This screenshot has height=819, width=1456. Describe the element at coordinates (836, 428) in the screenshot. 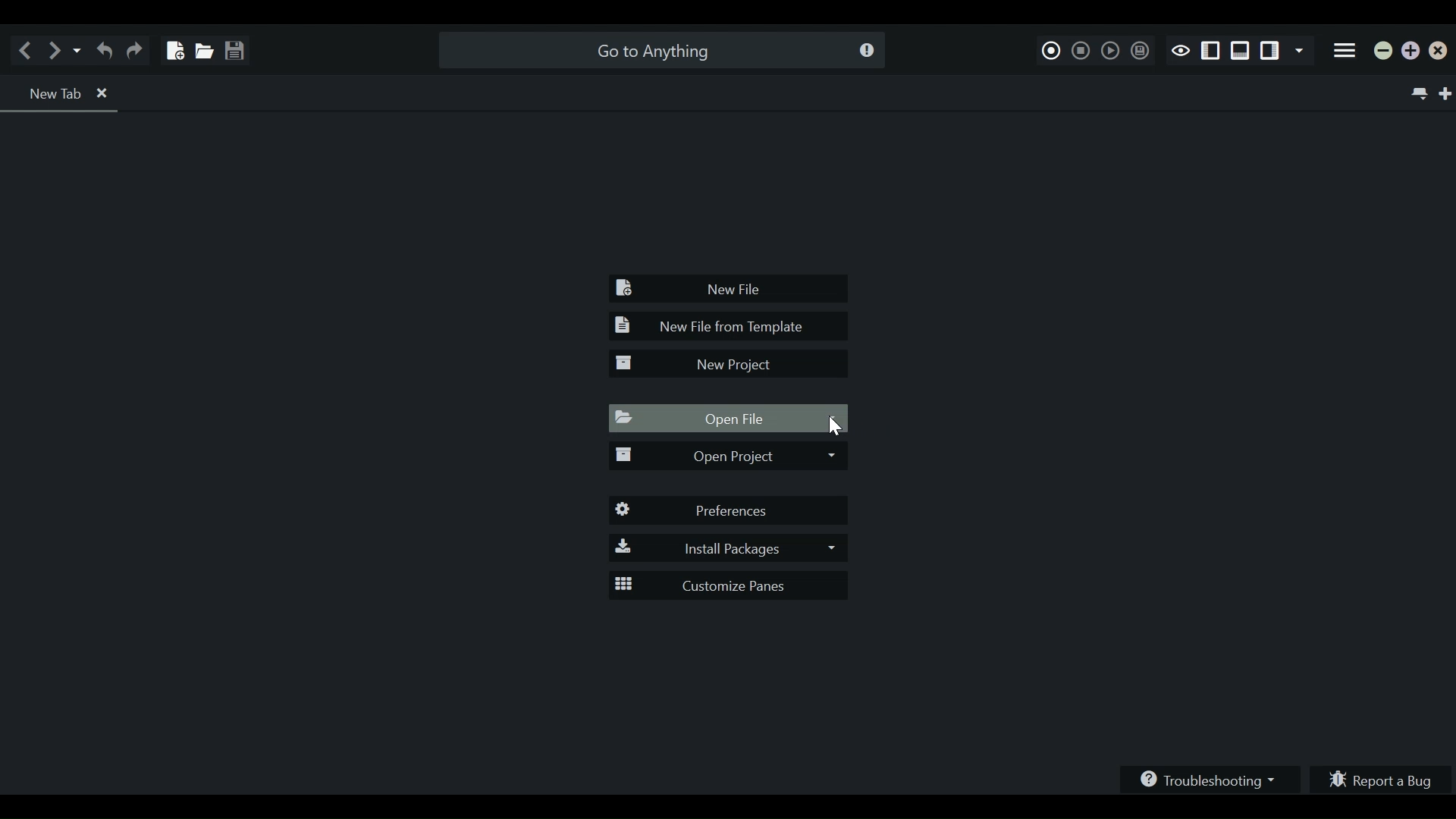

I see `Cursor` at that location.